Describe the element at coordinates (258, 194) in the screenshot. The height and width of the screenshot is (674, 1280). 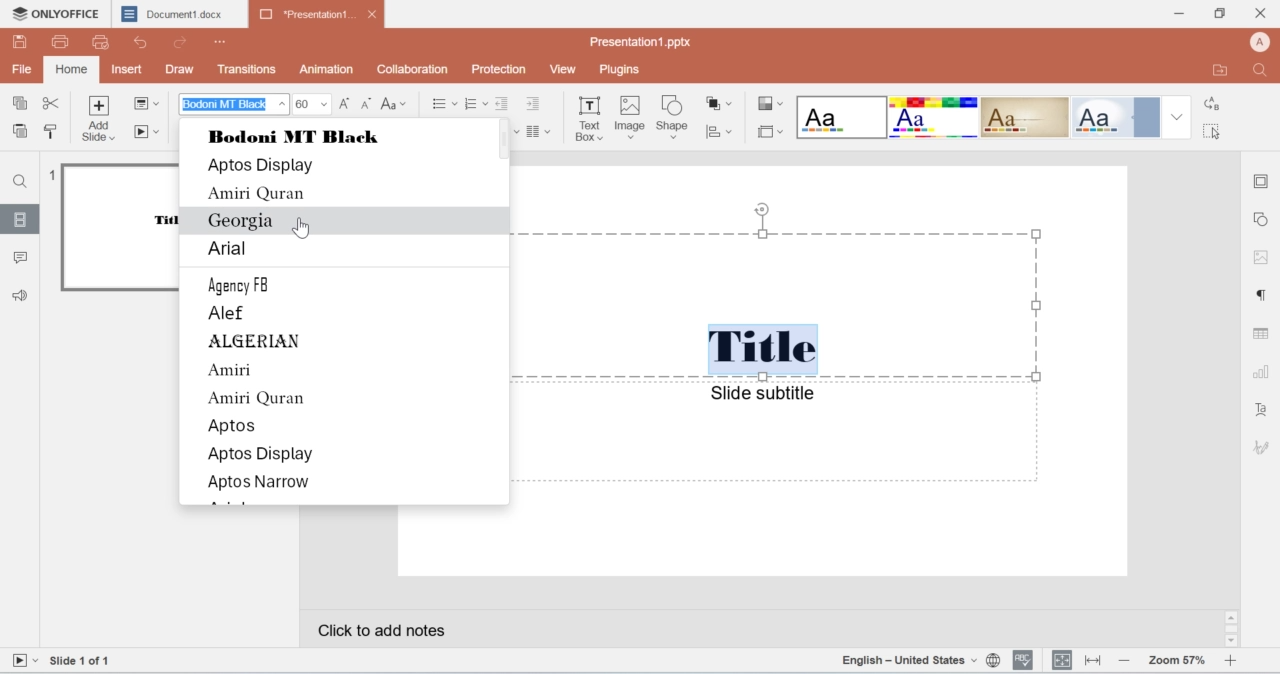
I see `Amiri Quran` at that location.